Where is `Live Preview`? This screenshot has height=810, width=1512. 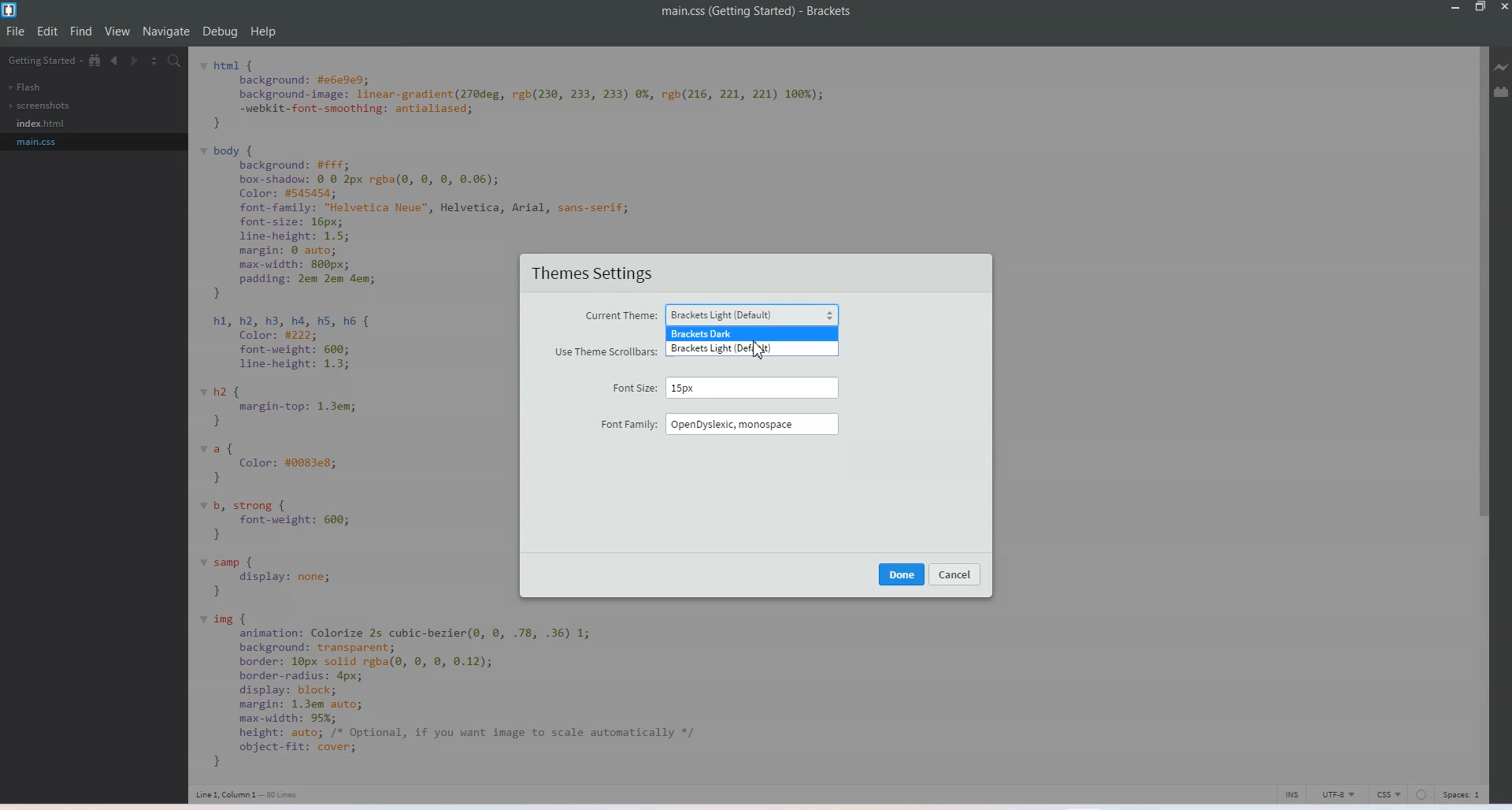 Live Preview is located at coordinates (1503, 68).